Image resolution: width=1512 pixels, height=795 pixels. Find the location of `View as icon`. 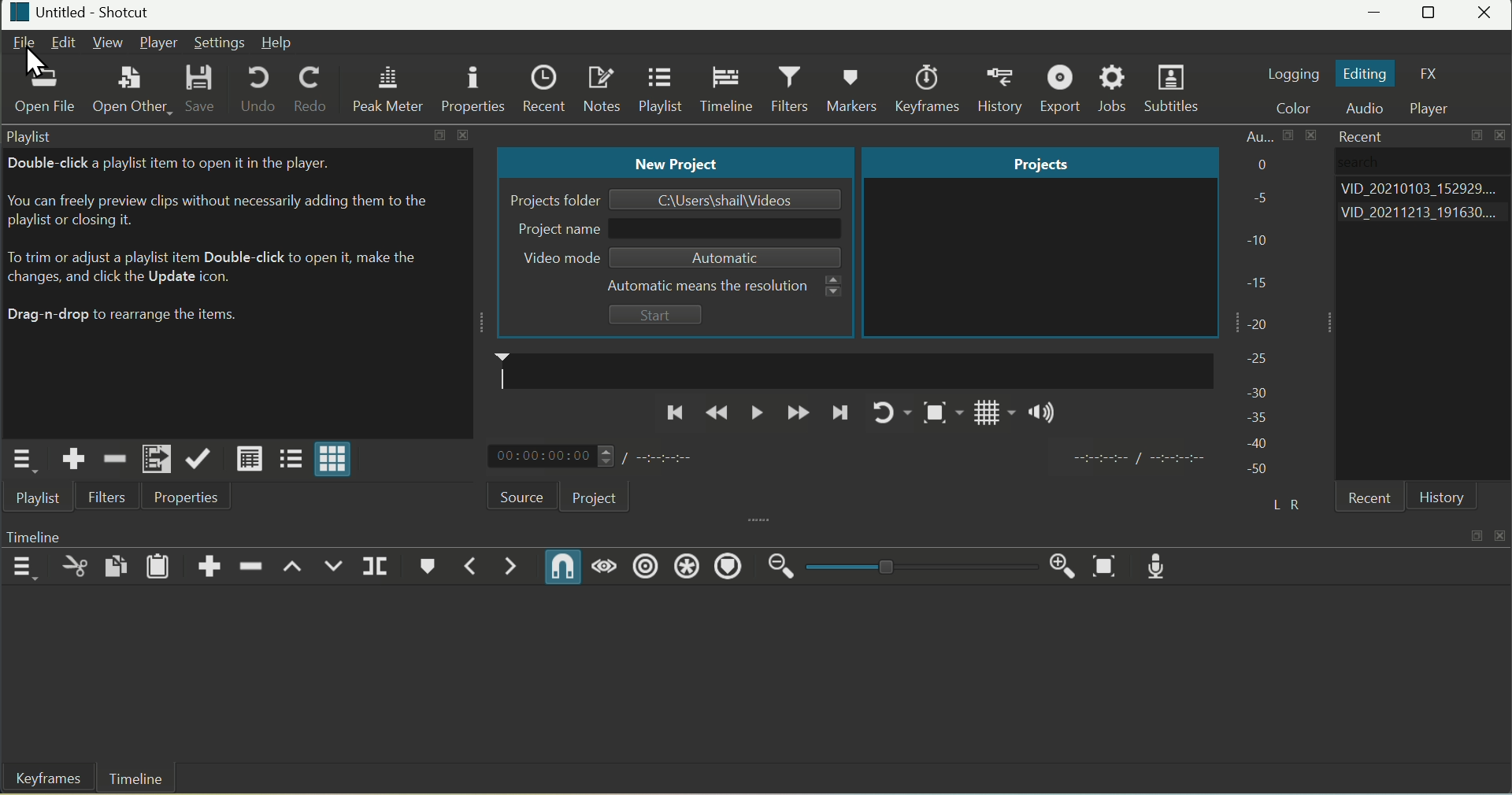

View as icon is located at coordinates (335, 461).